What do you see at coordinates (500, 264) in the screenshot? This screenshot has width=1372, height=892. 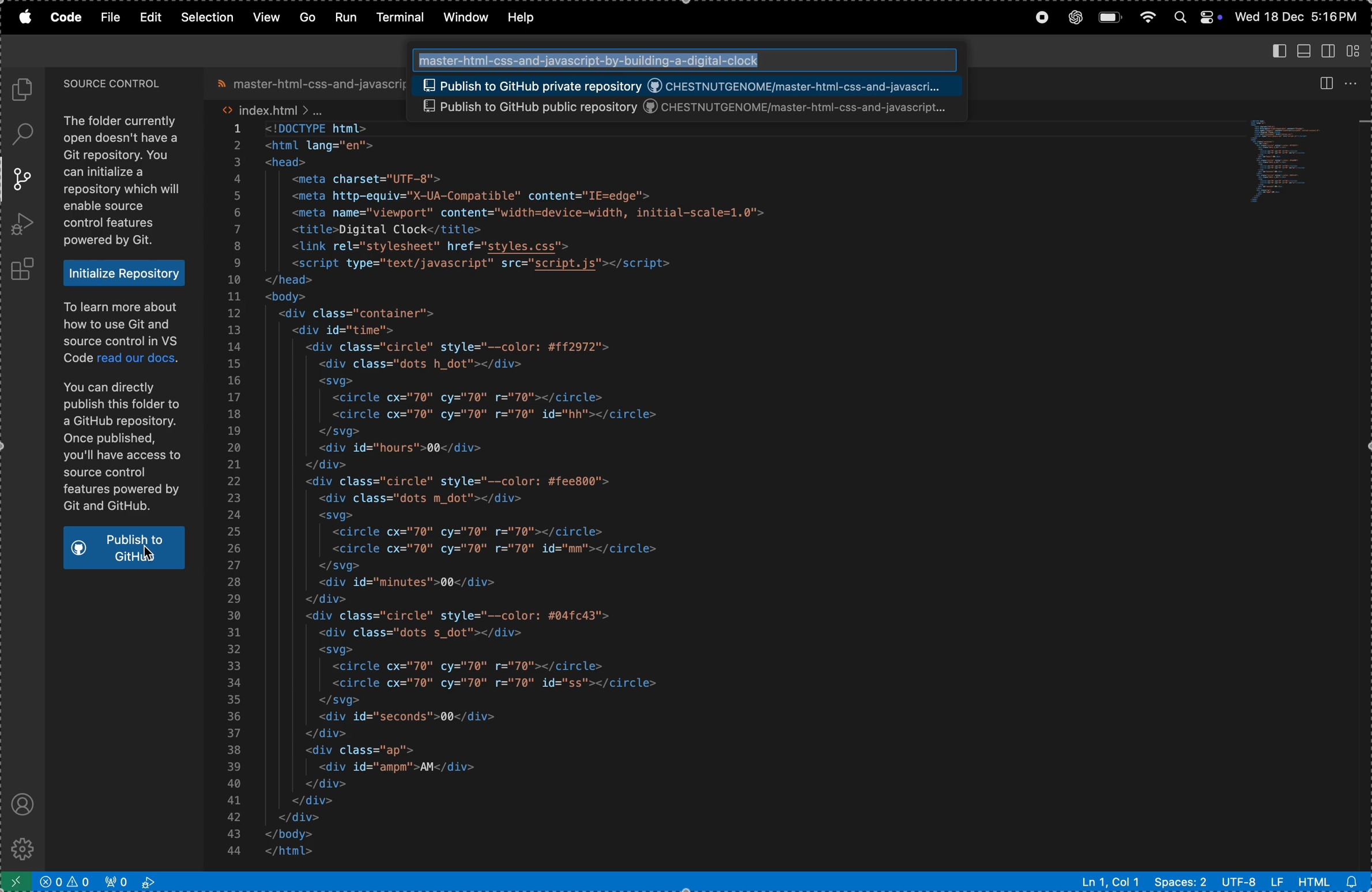 I see `<script type="text/javascript" src="script.js"></script>` at bounding box center [500, 264].